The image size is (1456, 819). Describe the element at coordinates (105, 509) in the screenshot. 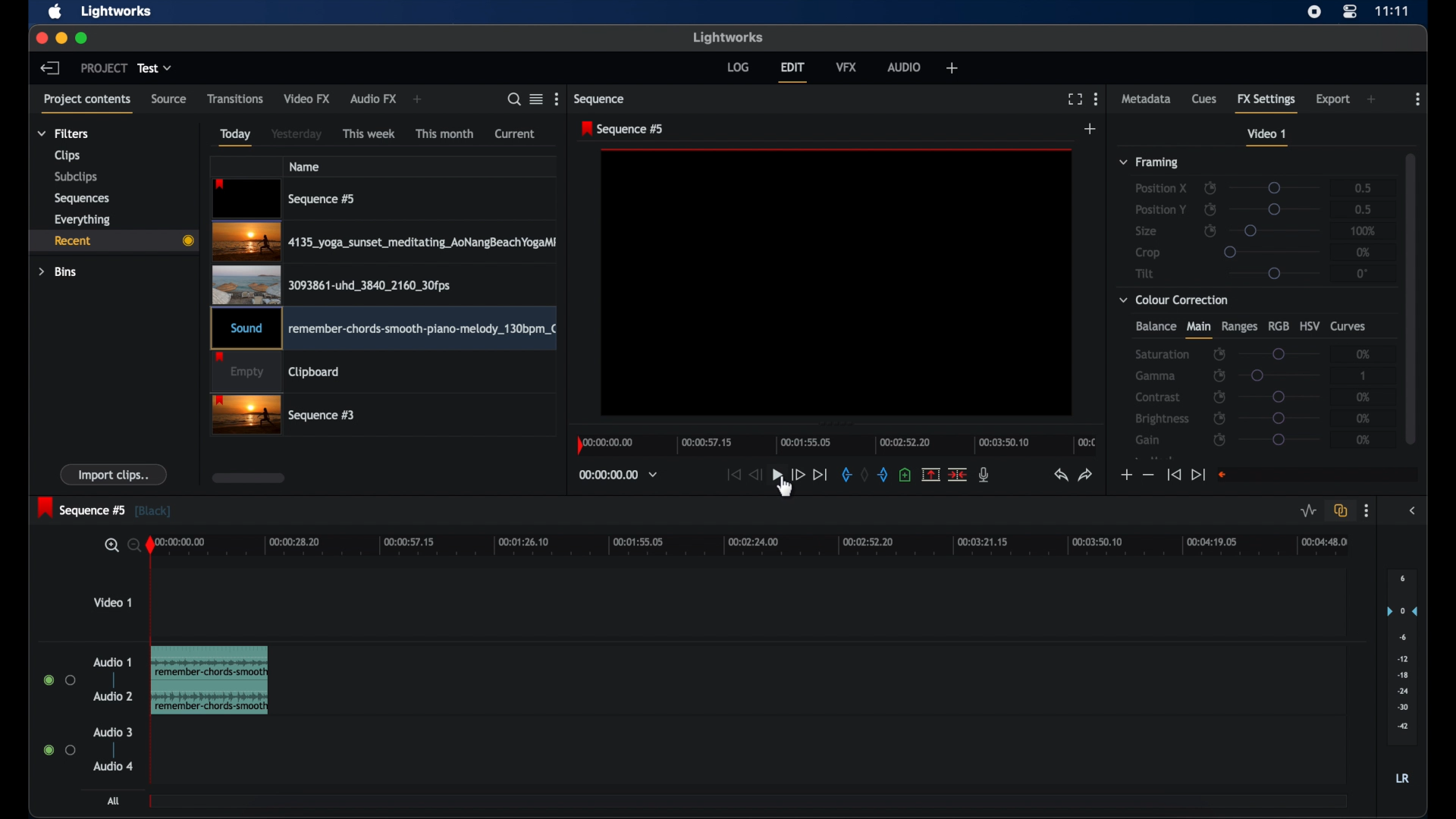

I see `sequence 5` at that location.